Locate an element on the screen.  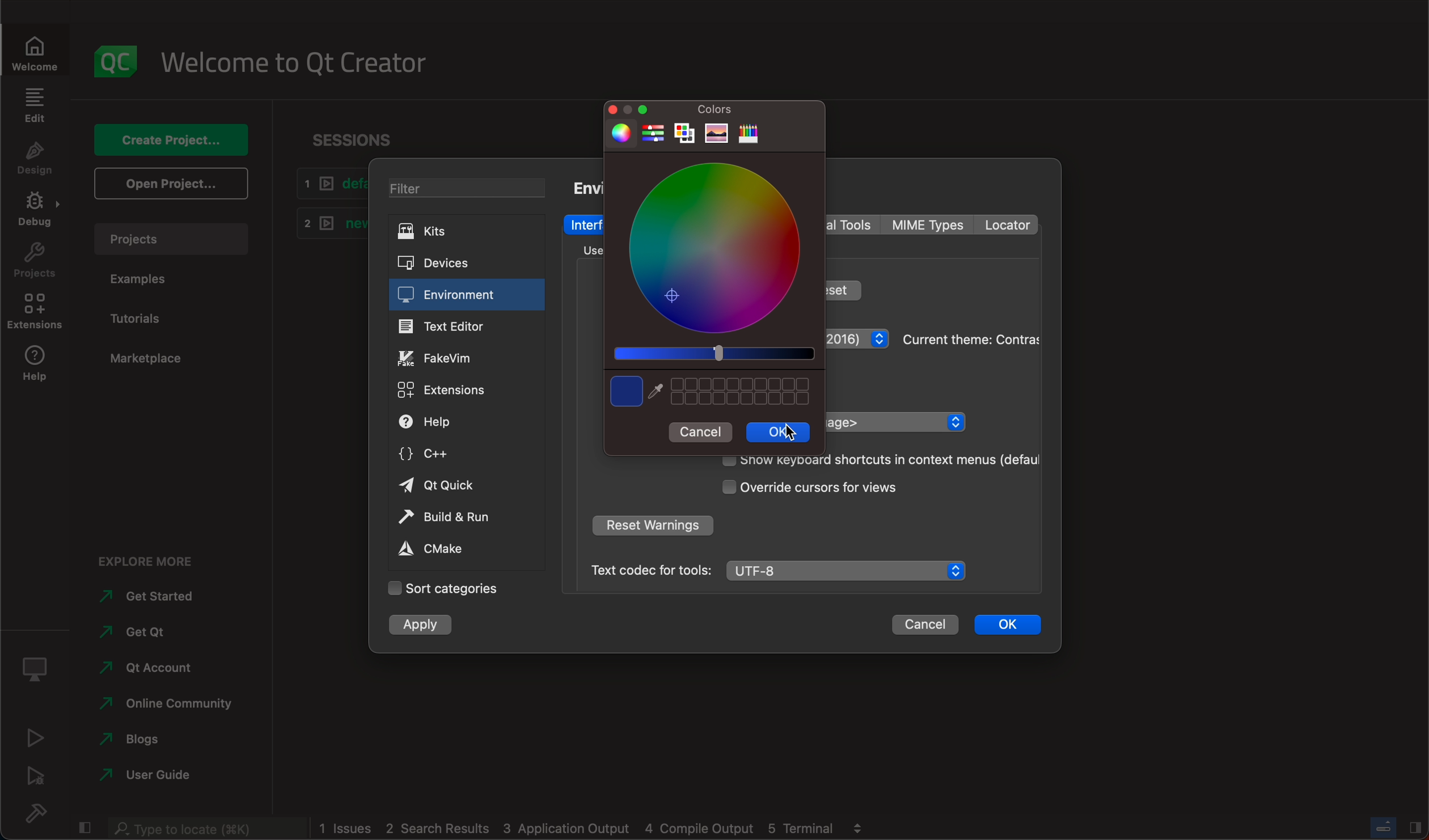
choose color is located at coordinates (625, 391).